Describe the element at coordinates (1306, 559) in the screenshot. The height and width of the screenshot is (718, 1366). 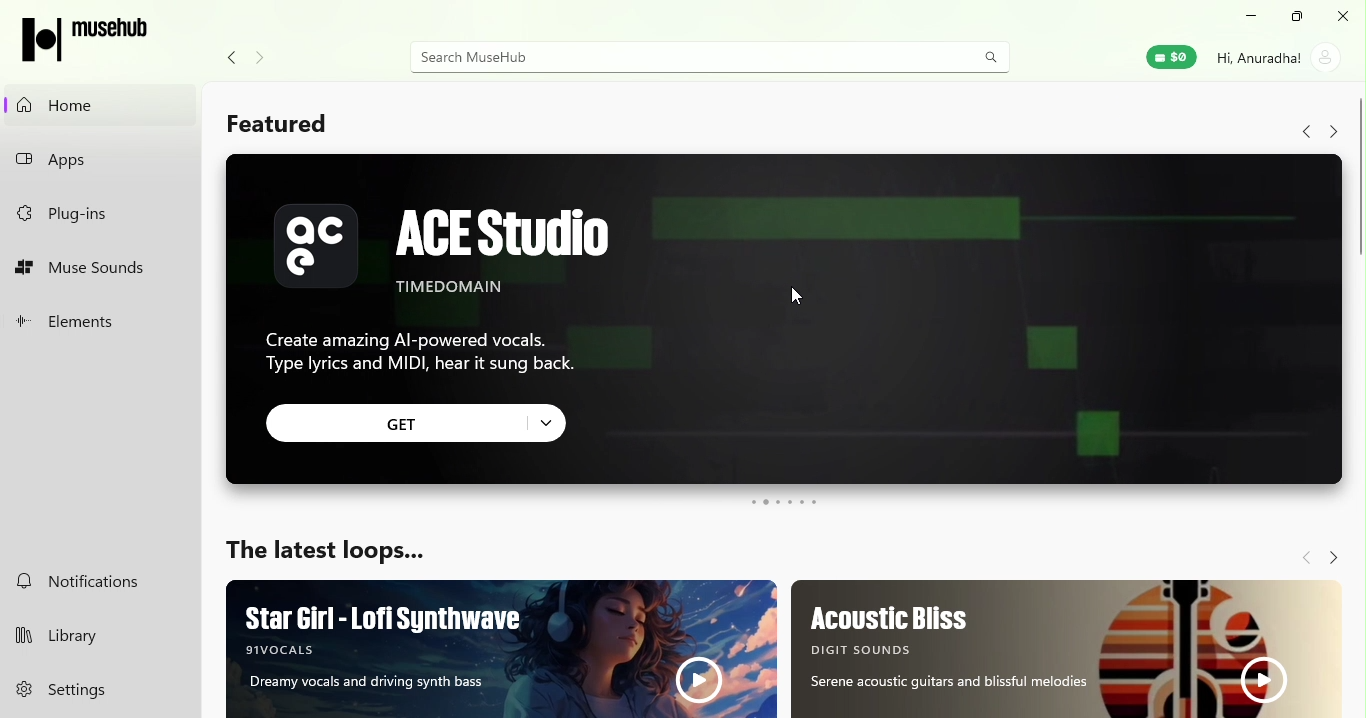
I see `Navigate back` at that location.